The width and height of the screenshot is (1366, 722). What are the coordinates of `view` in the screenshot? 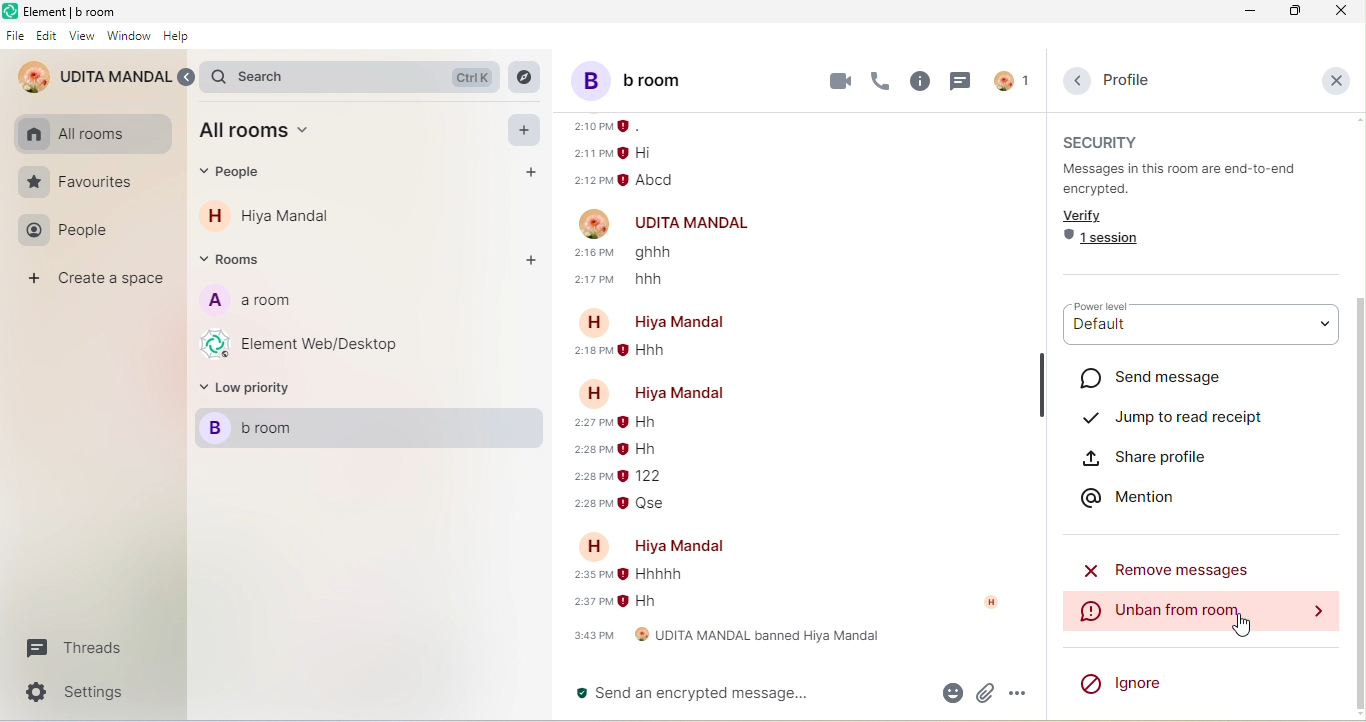 It's located at (84, 35).